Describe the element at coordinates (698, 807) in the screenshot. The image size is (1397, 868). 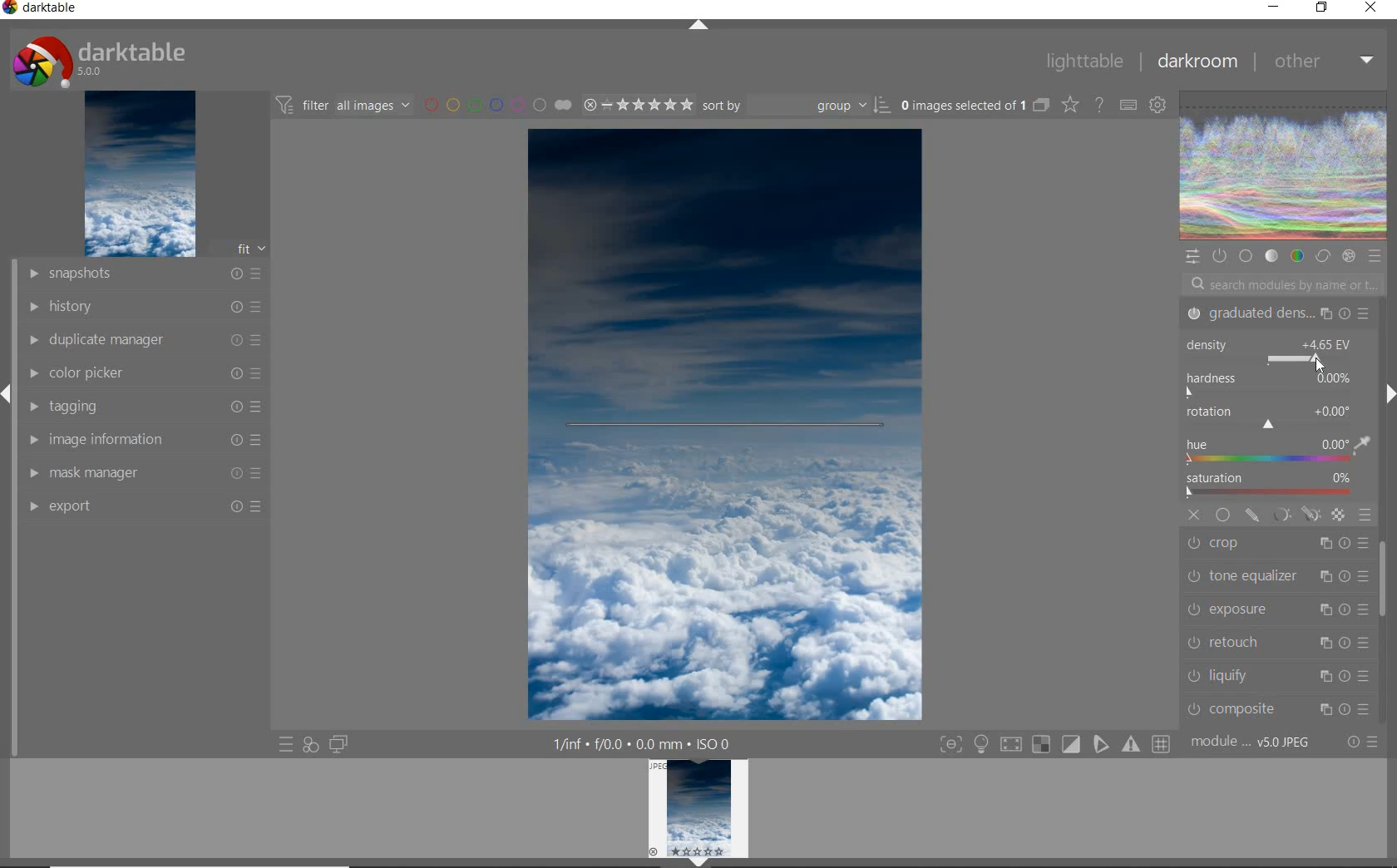
I see `IMAGE PREVIEW` at that location.